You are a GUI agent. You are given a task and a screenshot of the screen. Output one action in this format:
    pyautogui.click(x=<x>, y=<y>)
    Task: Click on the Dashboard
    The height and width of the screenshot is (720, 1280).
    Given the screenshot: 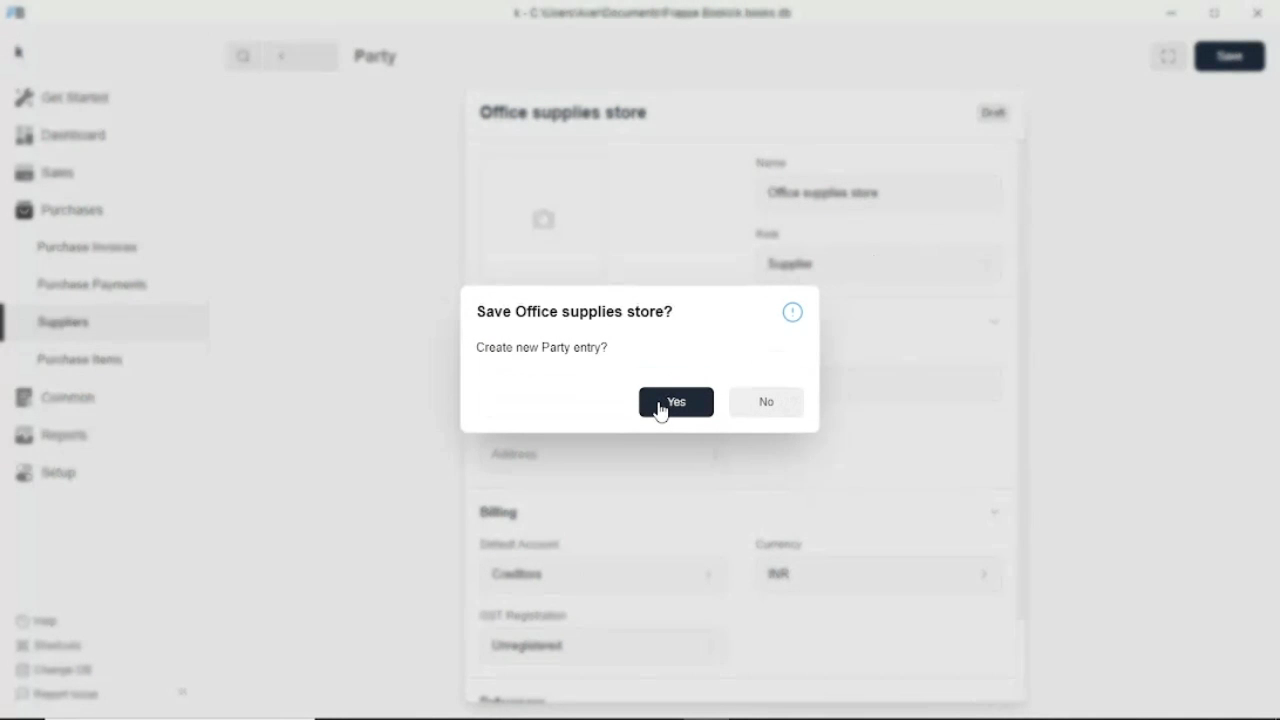 What is the action you would take?
    pyautogui.click(x=62, y=136)
    